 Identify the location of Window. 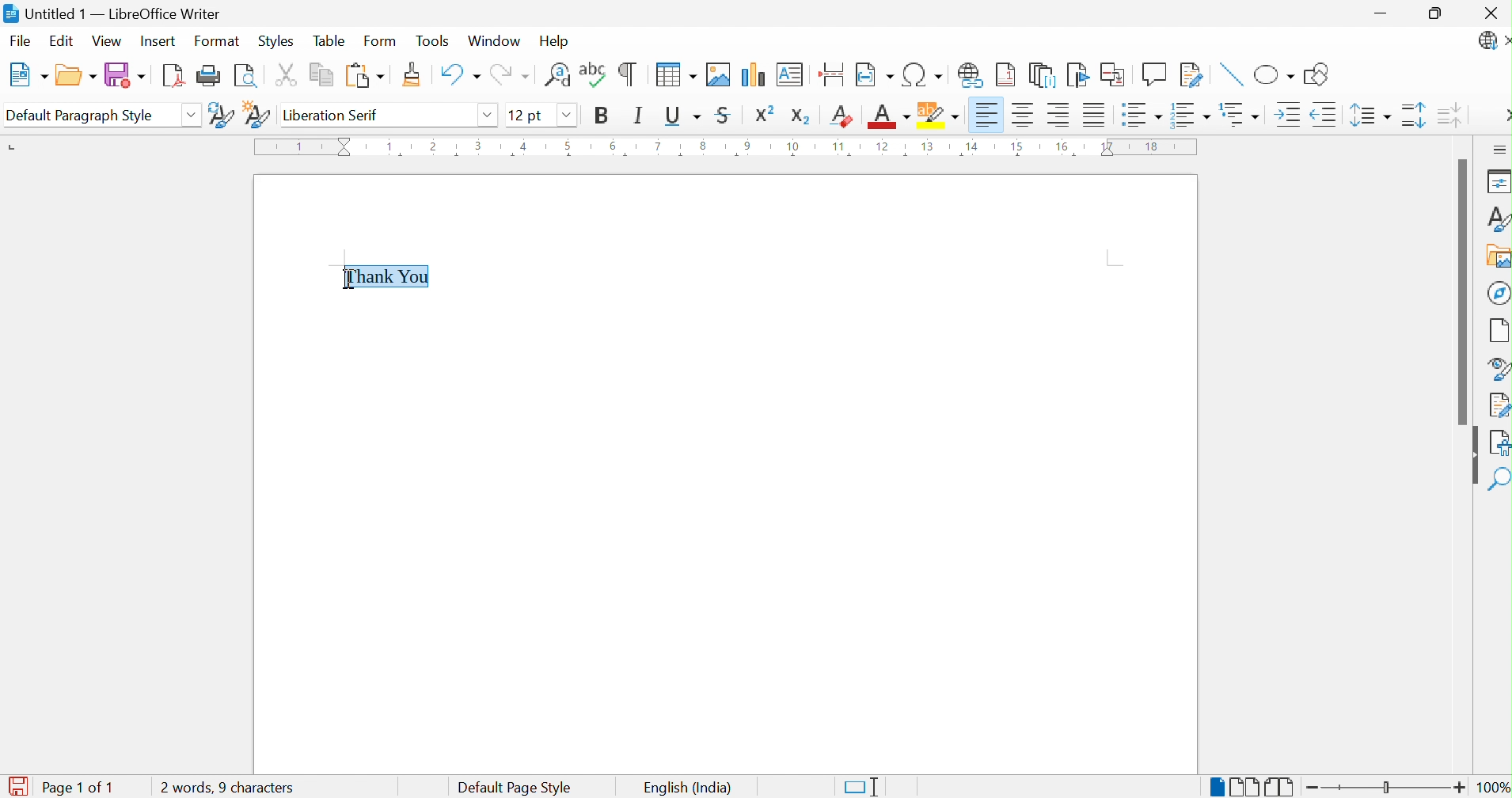
(495, 41).